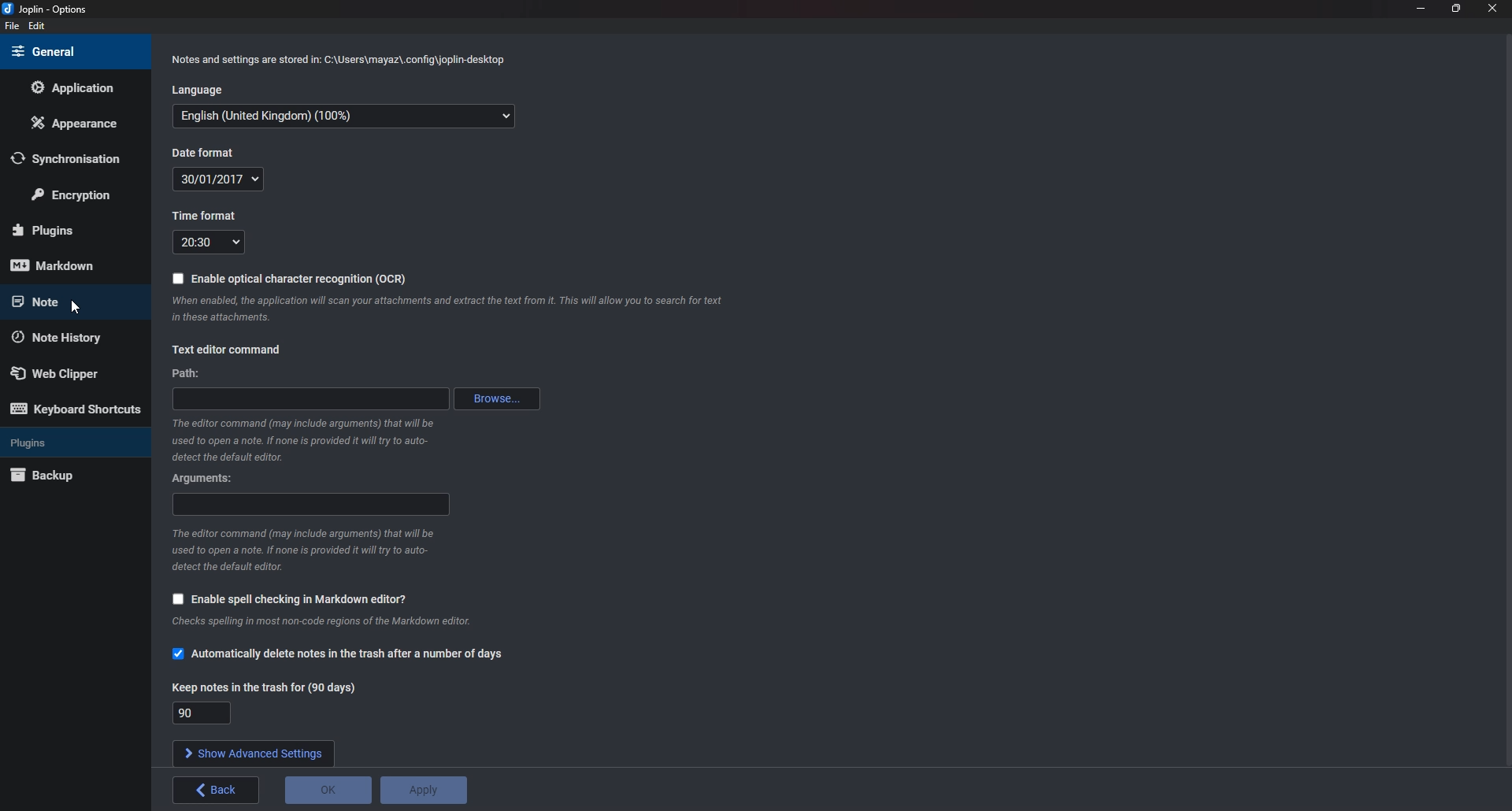 The height and width of the screenshot is (811, 1512). Describe the element at coordinates (1421, 9) in the screenshot. I see `Minimize` at that location.